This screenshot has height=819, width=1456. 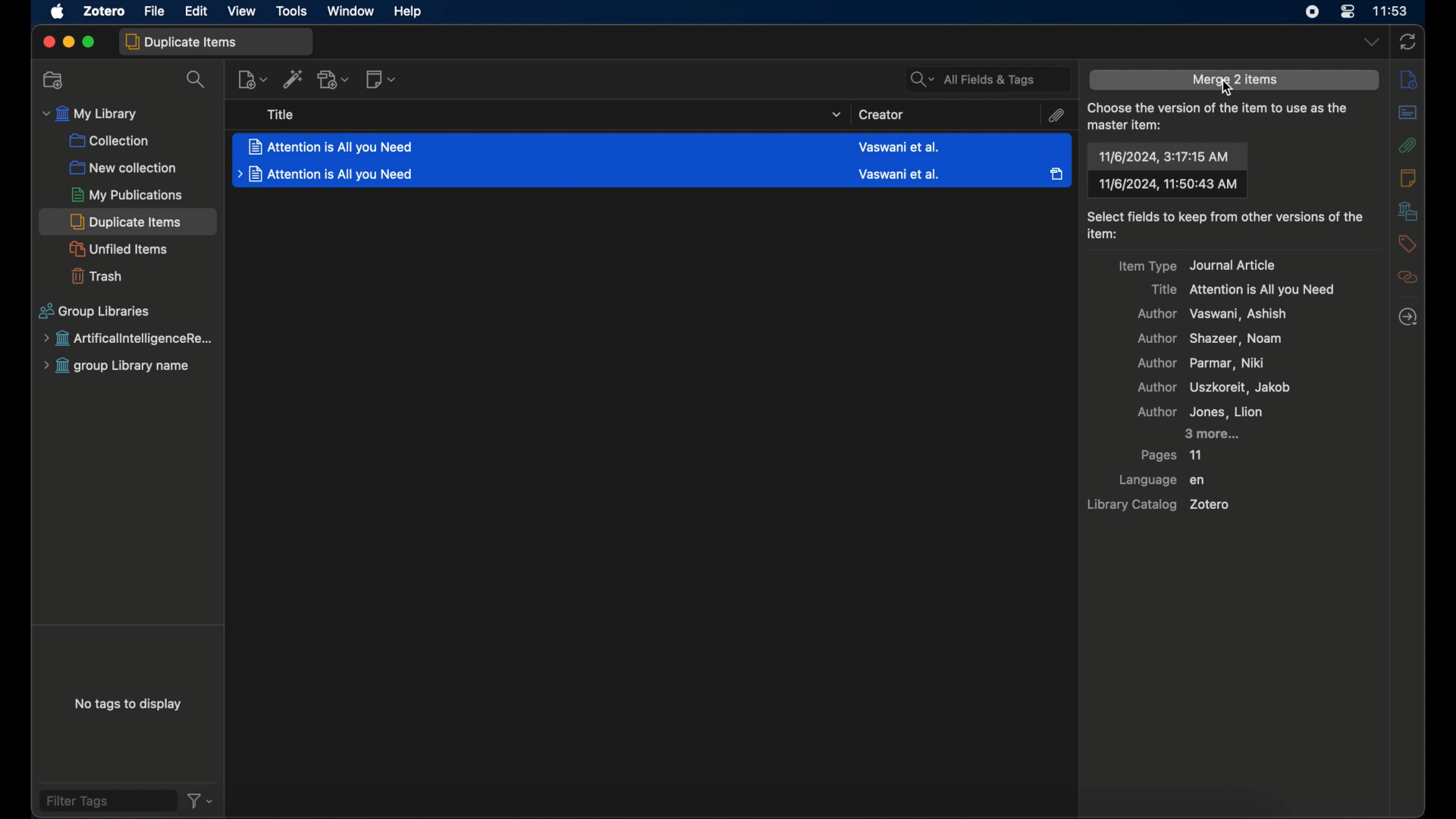 I want to click on tags, so click(x=1406, y=245).